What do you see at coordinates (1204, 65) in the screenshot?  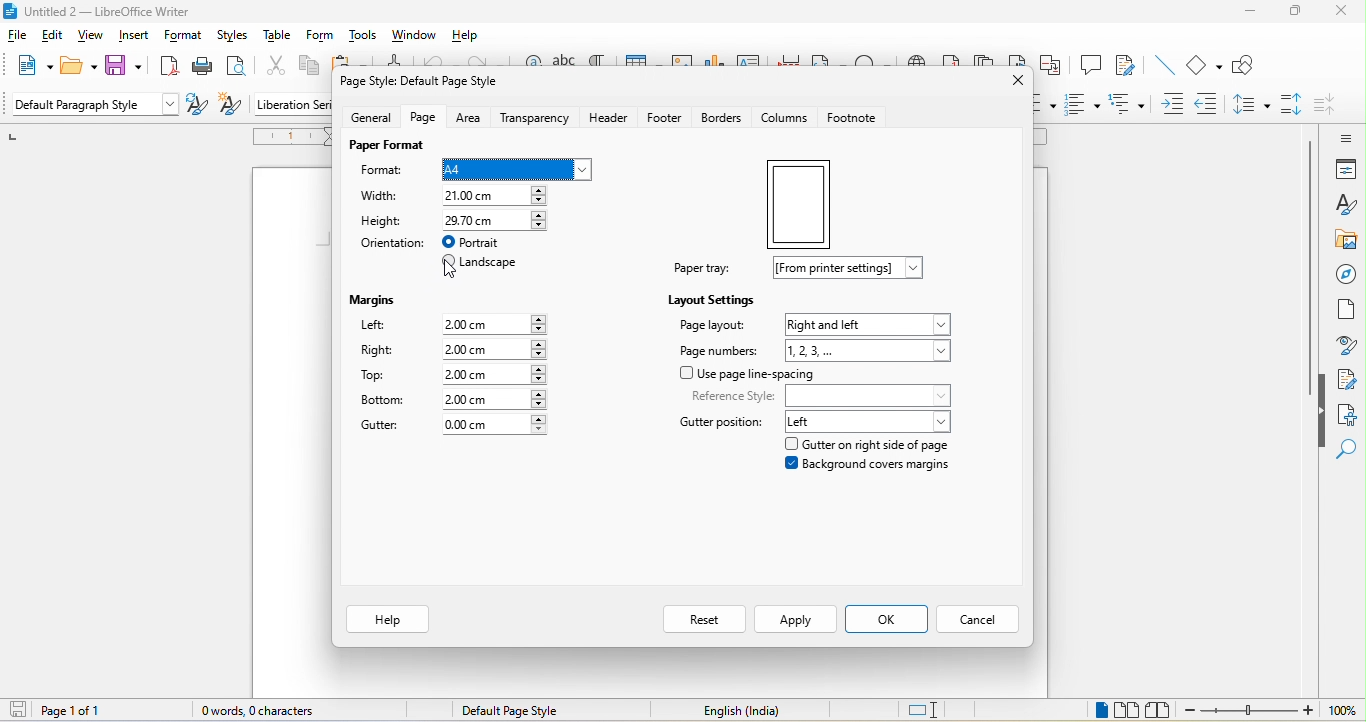 I see `basic shapes` at bounding box center [1204, 65].